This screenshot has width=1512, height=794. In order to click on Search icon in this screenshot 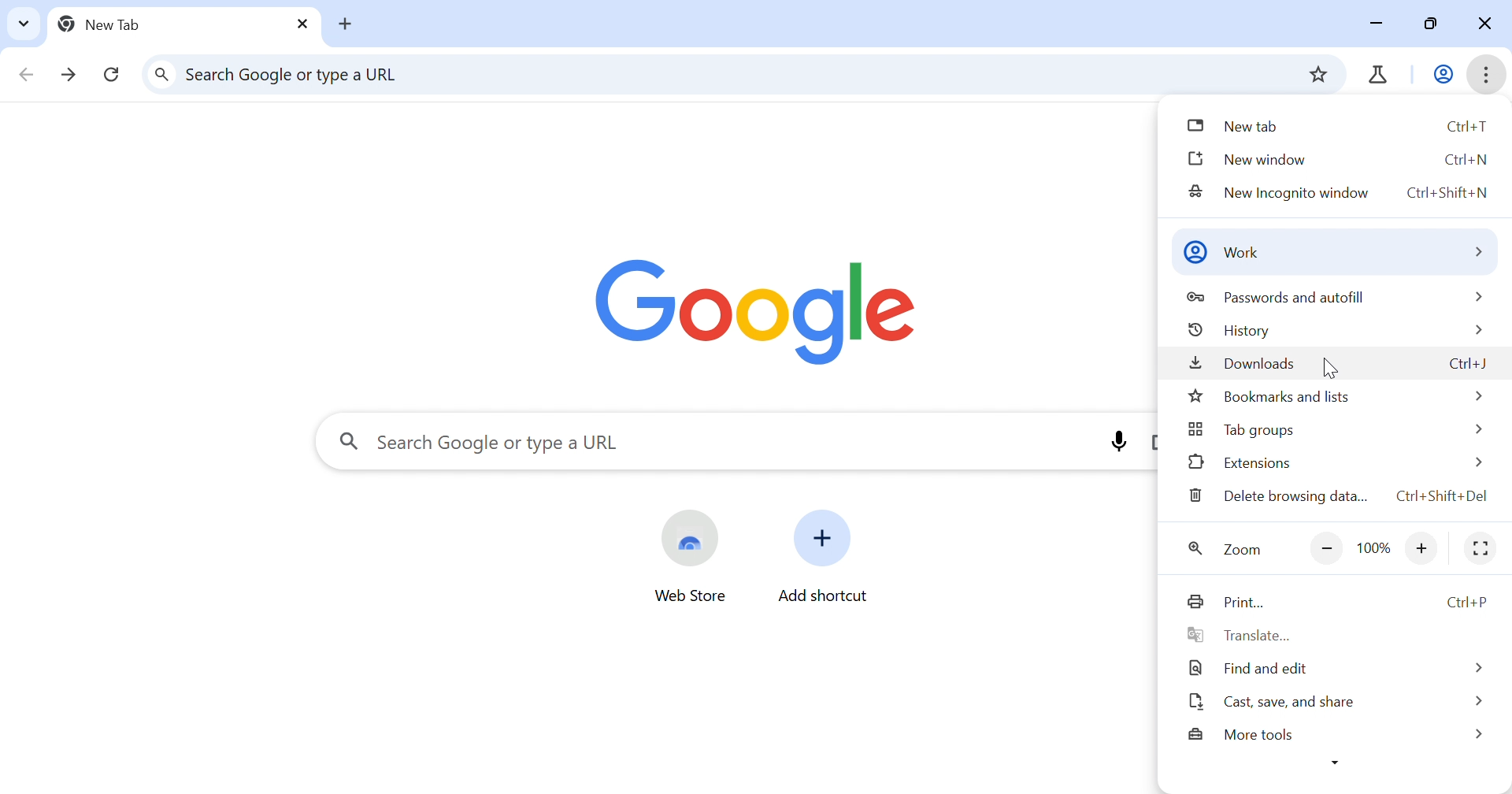, I will do `click(164, 76)`.